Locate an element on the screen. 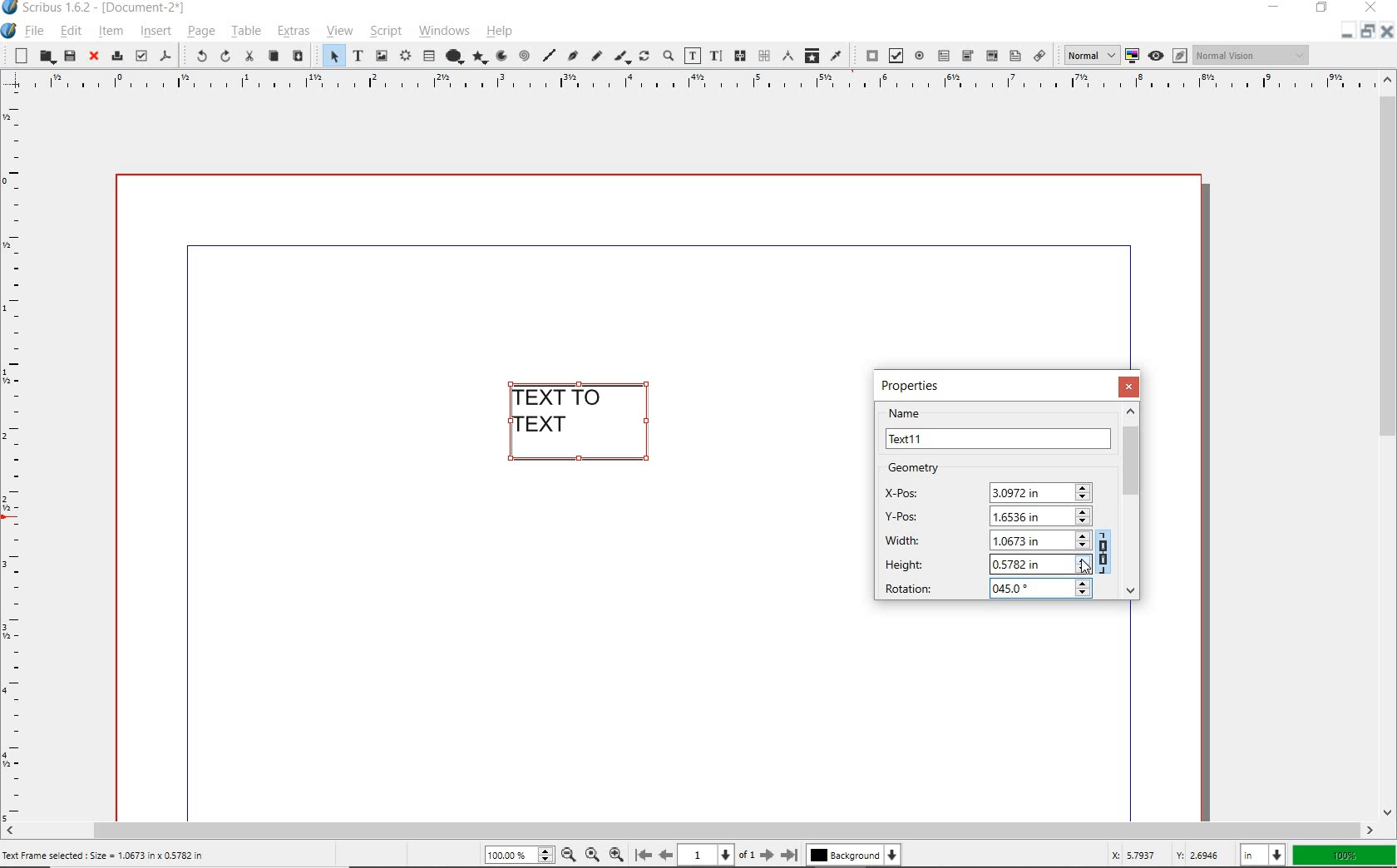 The width and height of the screenshot is (1397, 868). link annotation is located at coordinates (1038, 55).